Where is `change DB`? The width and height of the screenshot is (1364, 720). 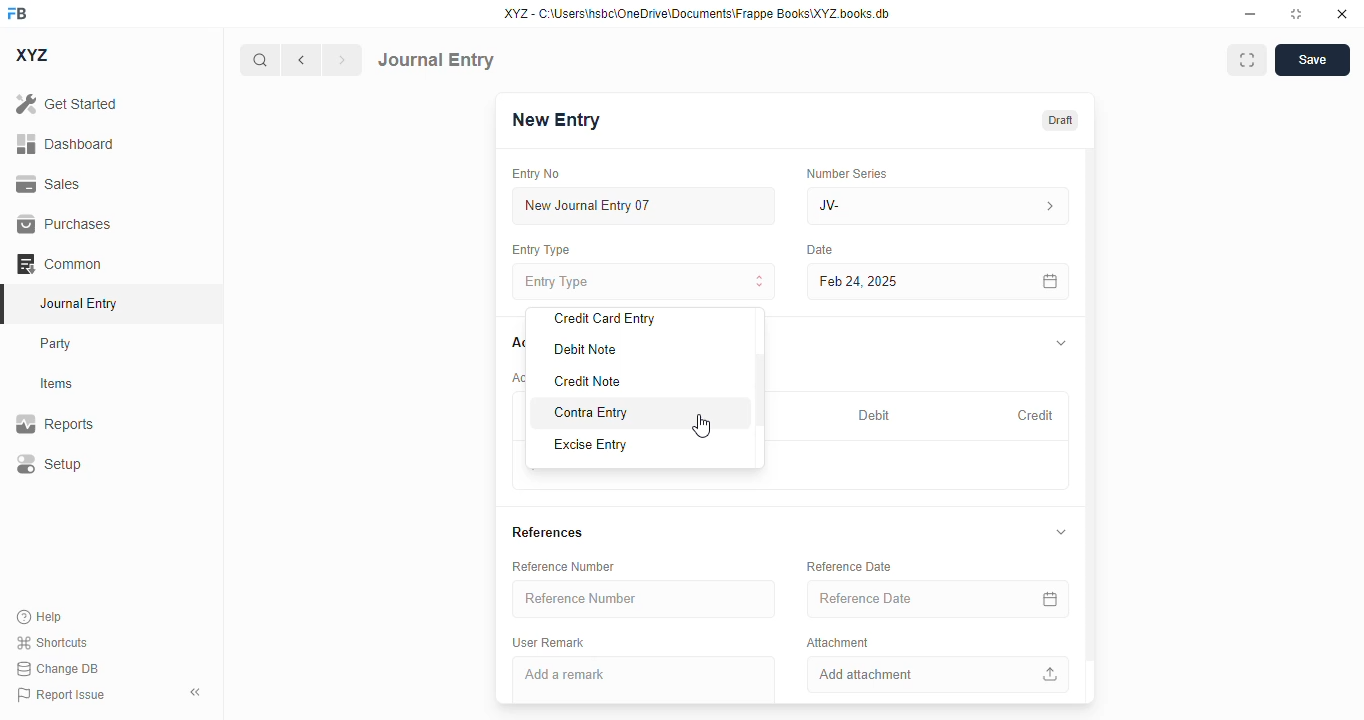
change DB is located at coordinates (57, 668).